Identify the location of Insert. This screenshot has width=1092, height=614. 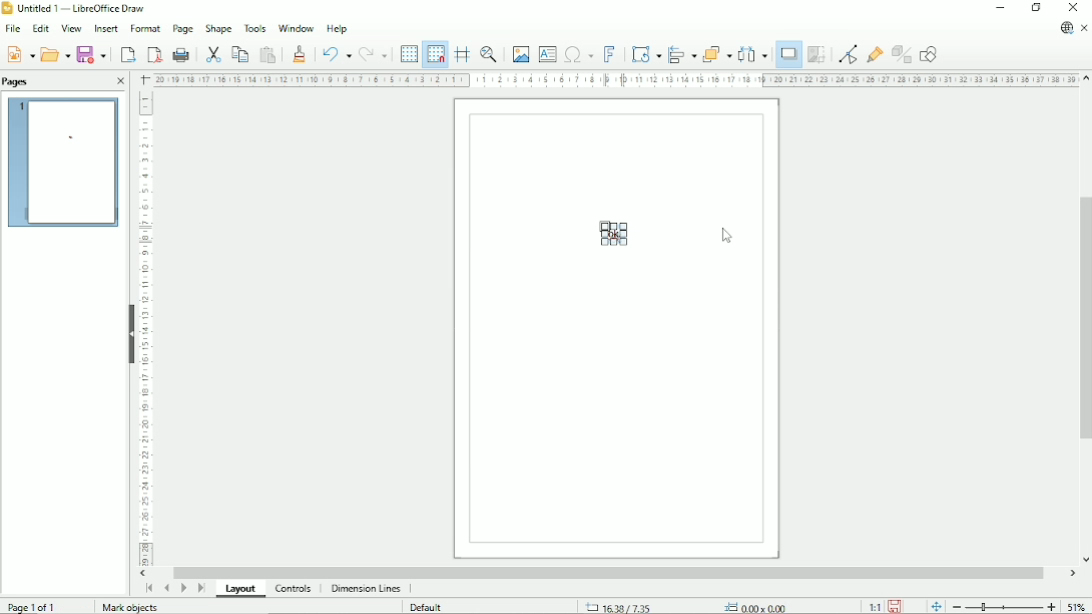
(105, 29).